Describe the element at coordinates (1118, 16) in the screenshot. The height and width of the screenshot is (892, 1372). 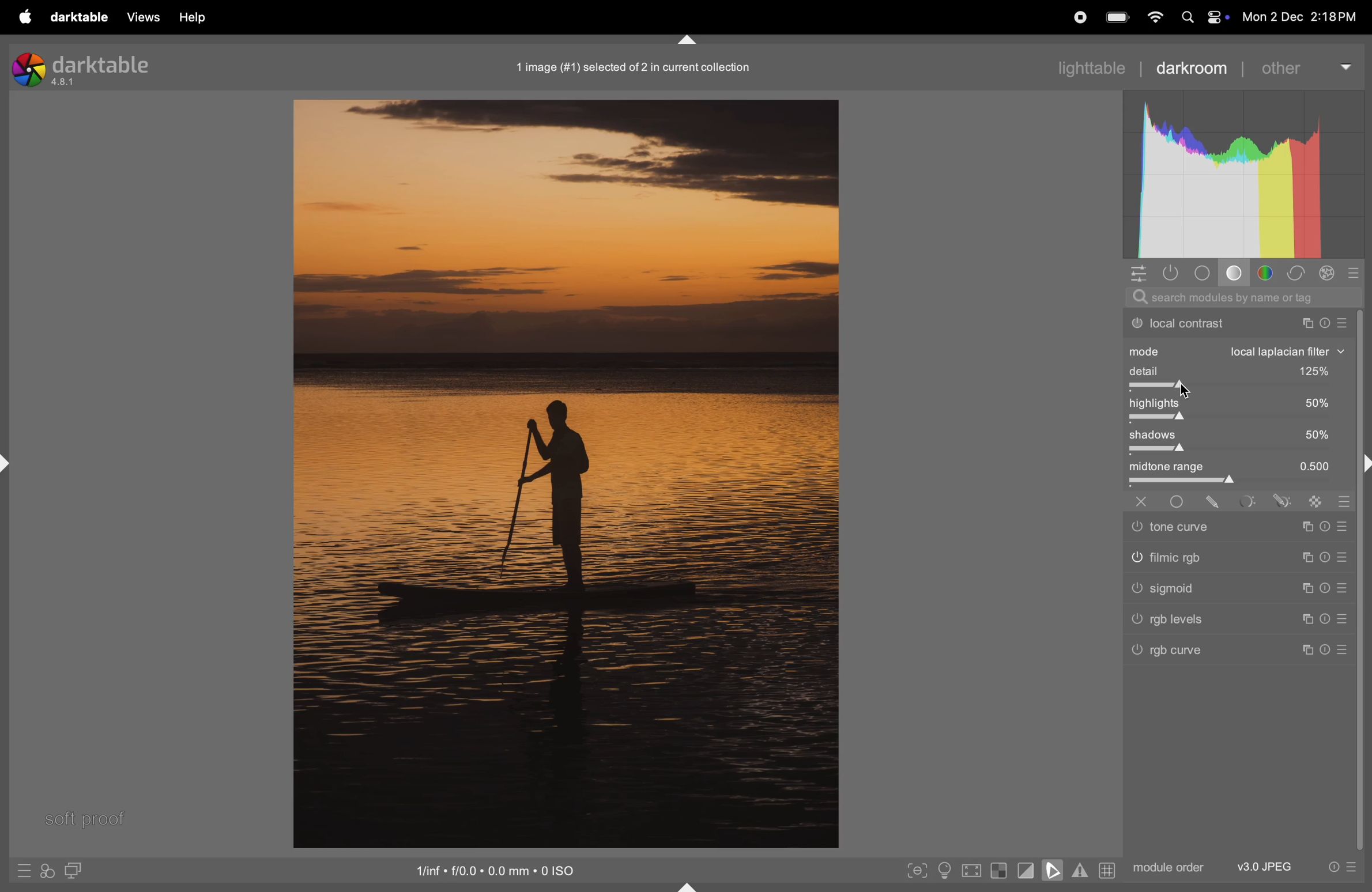
I see `battery` at that location.